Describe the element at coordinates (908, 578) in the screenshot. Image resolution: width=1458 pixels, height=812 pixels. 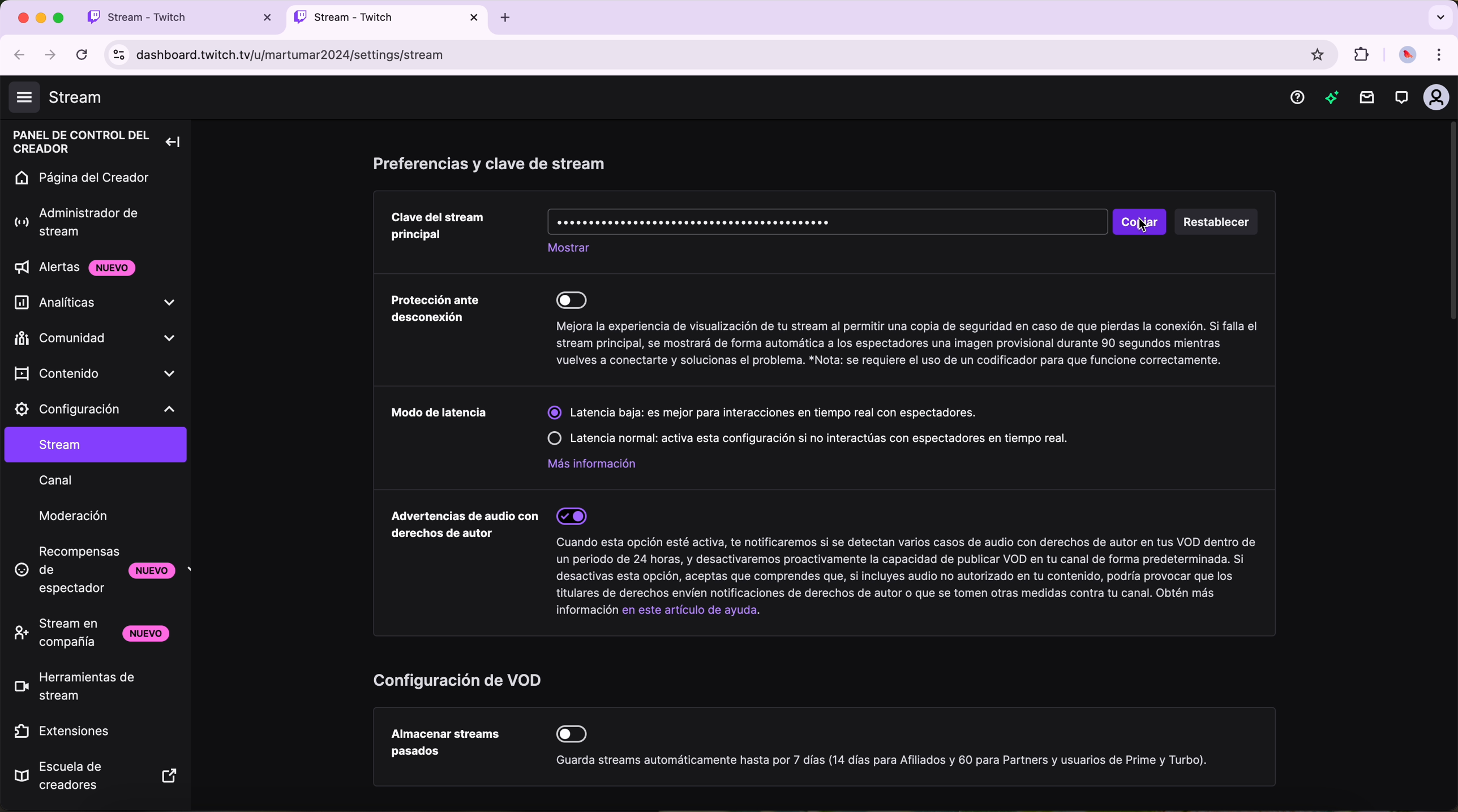
I see `description option` at that location.